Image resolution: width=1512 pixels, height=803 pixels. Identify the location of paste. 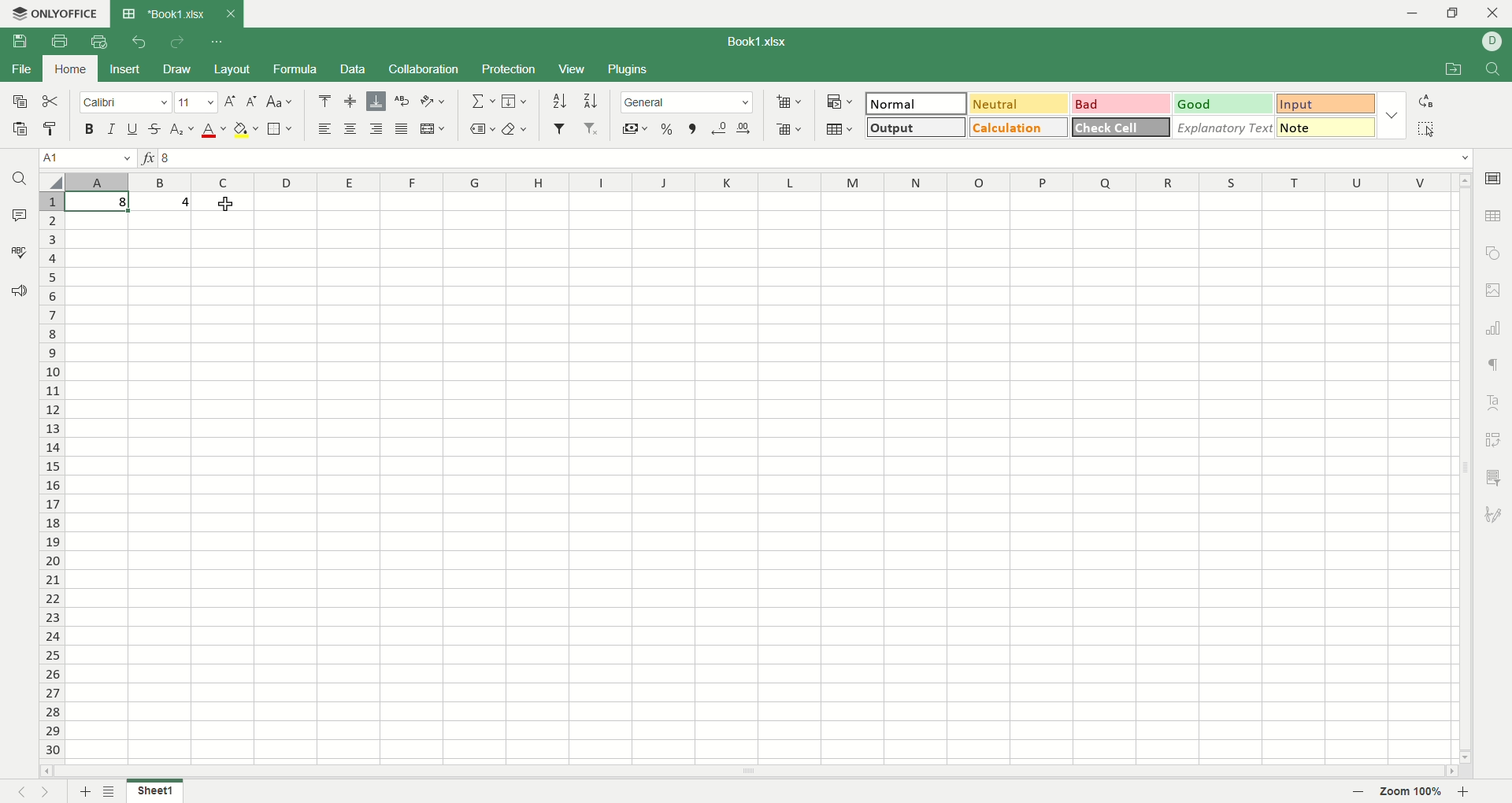
(51, 129).